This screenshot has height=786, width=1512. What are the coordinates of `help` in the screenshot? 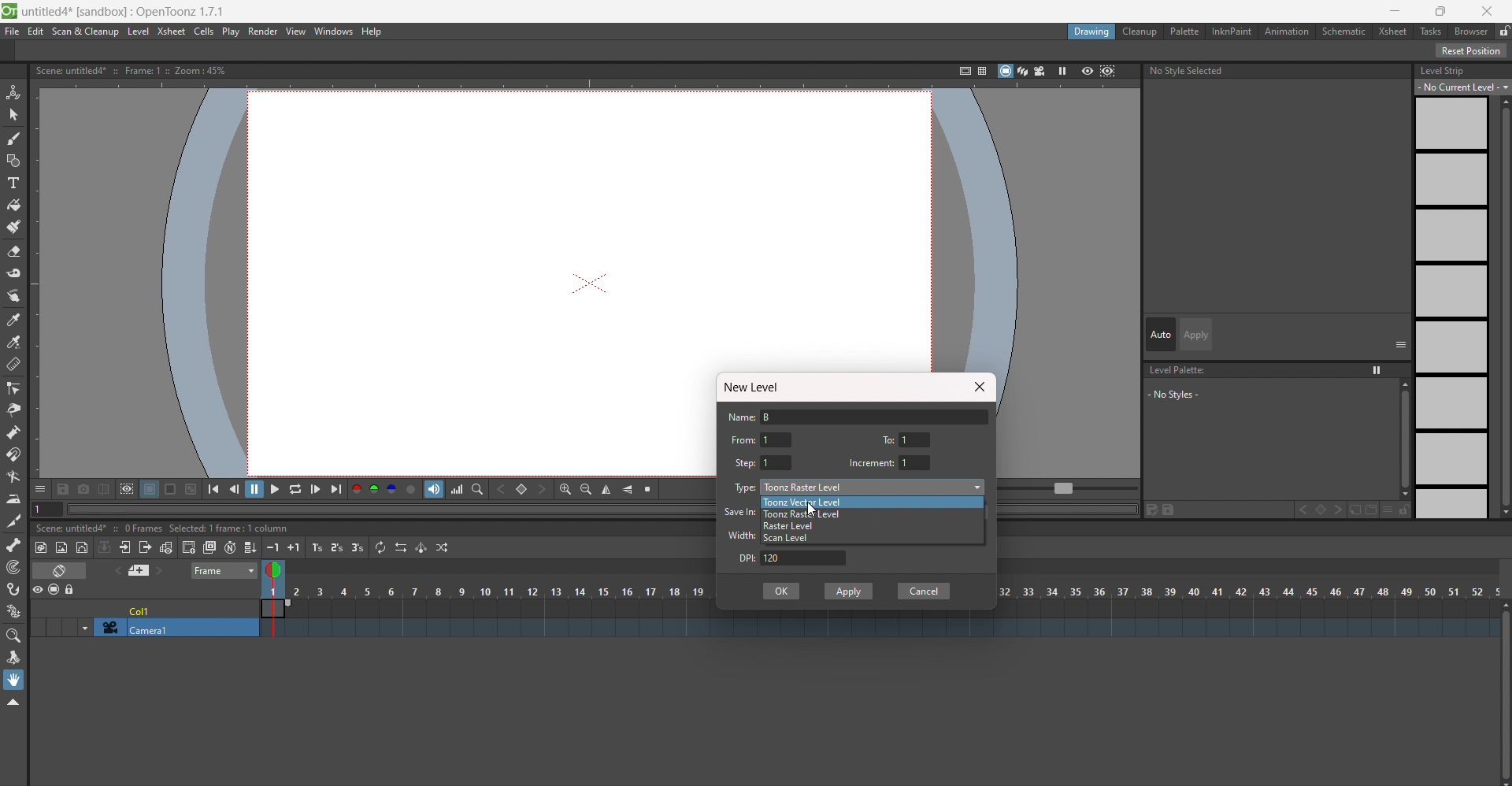 It's located at (376, 32).